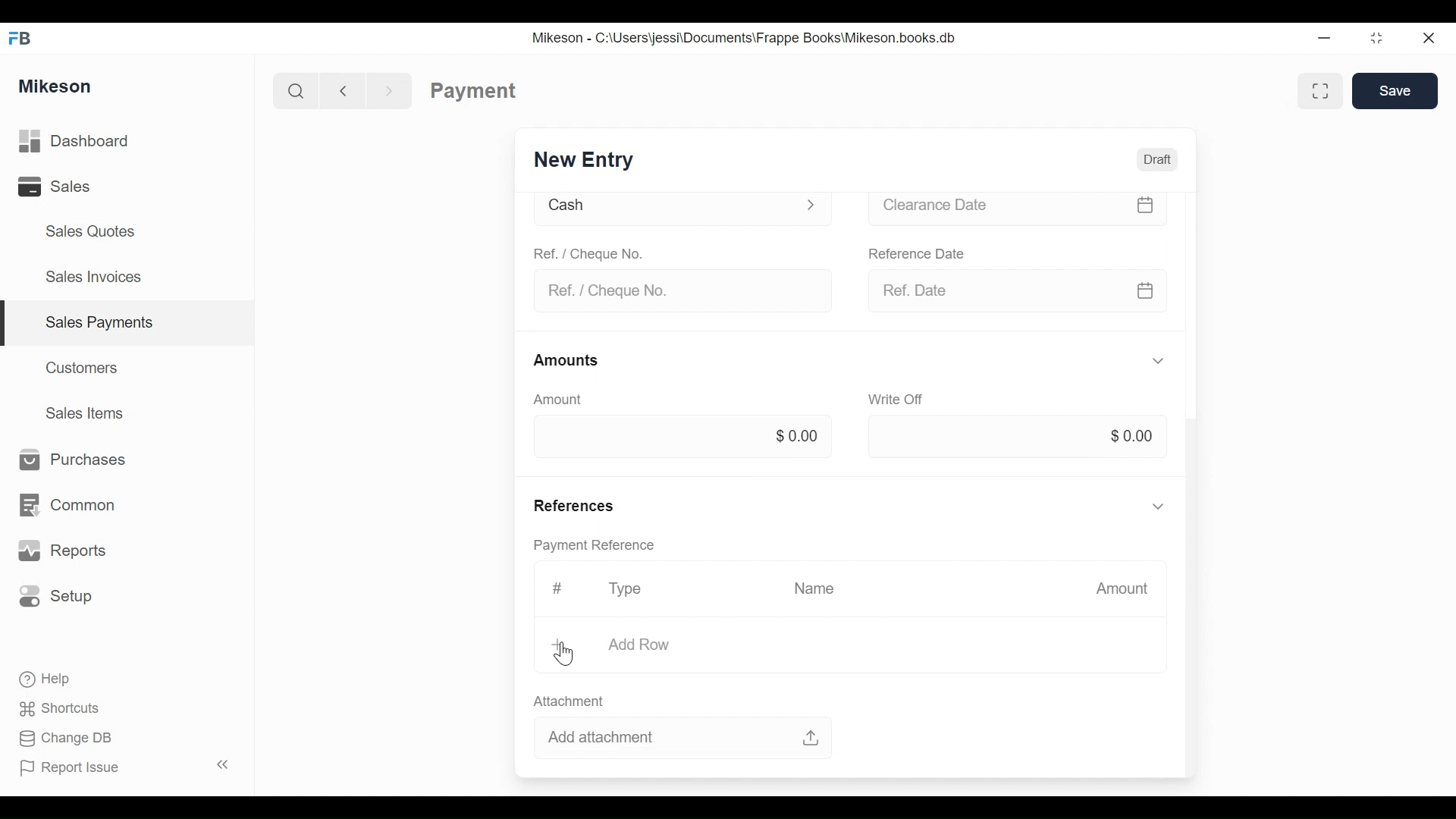 The width and height of the screenshot is (1456, 819). I want to click on Save, so click(1398, 92).